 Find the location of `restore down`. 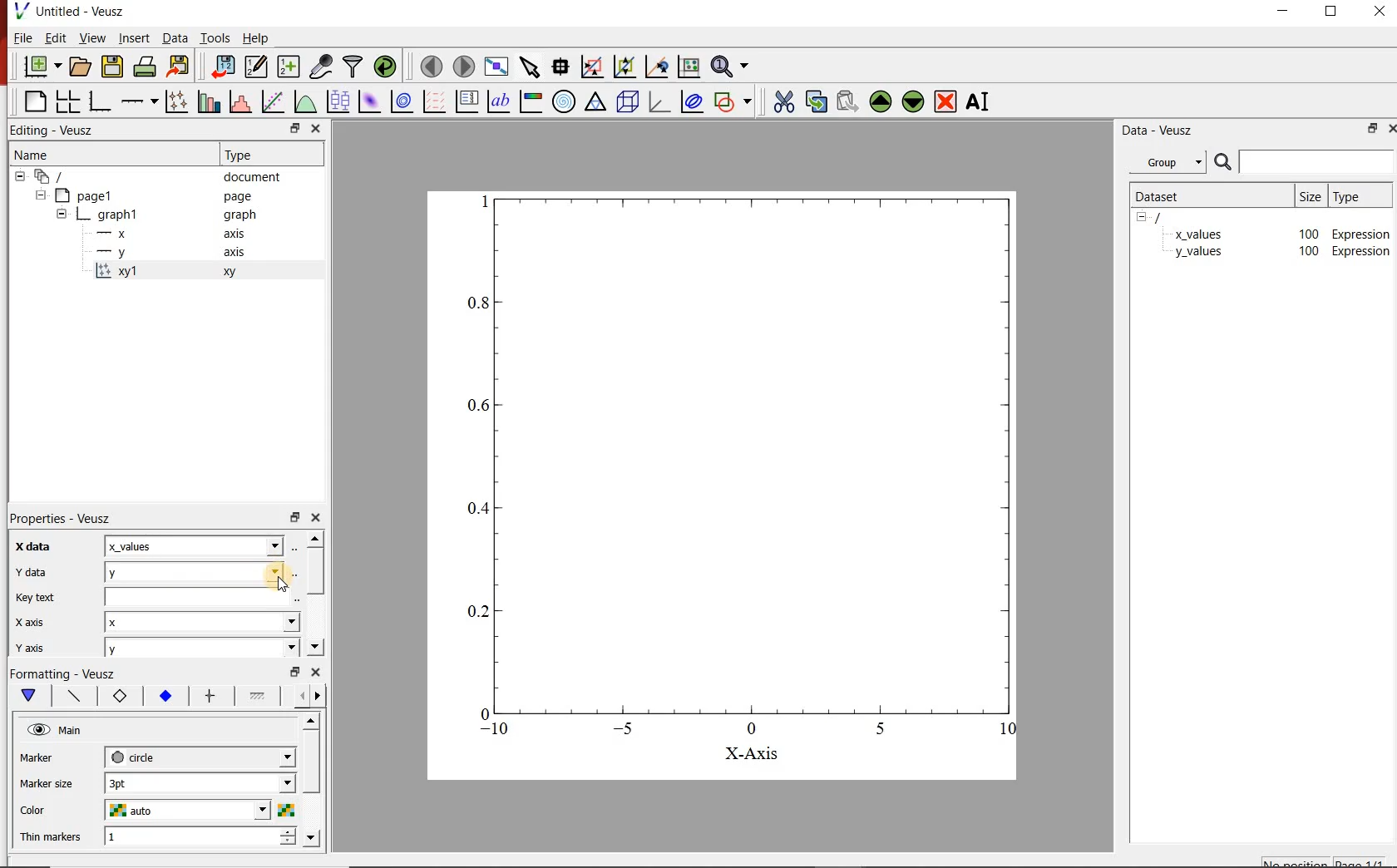

restore down is located at coordinates (295, 517).